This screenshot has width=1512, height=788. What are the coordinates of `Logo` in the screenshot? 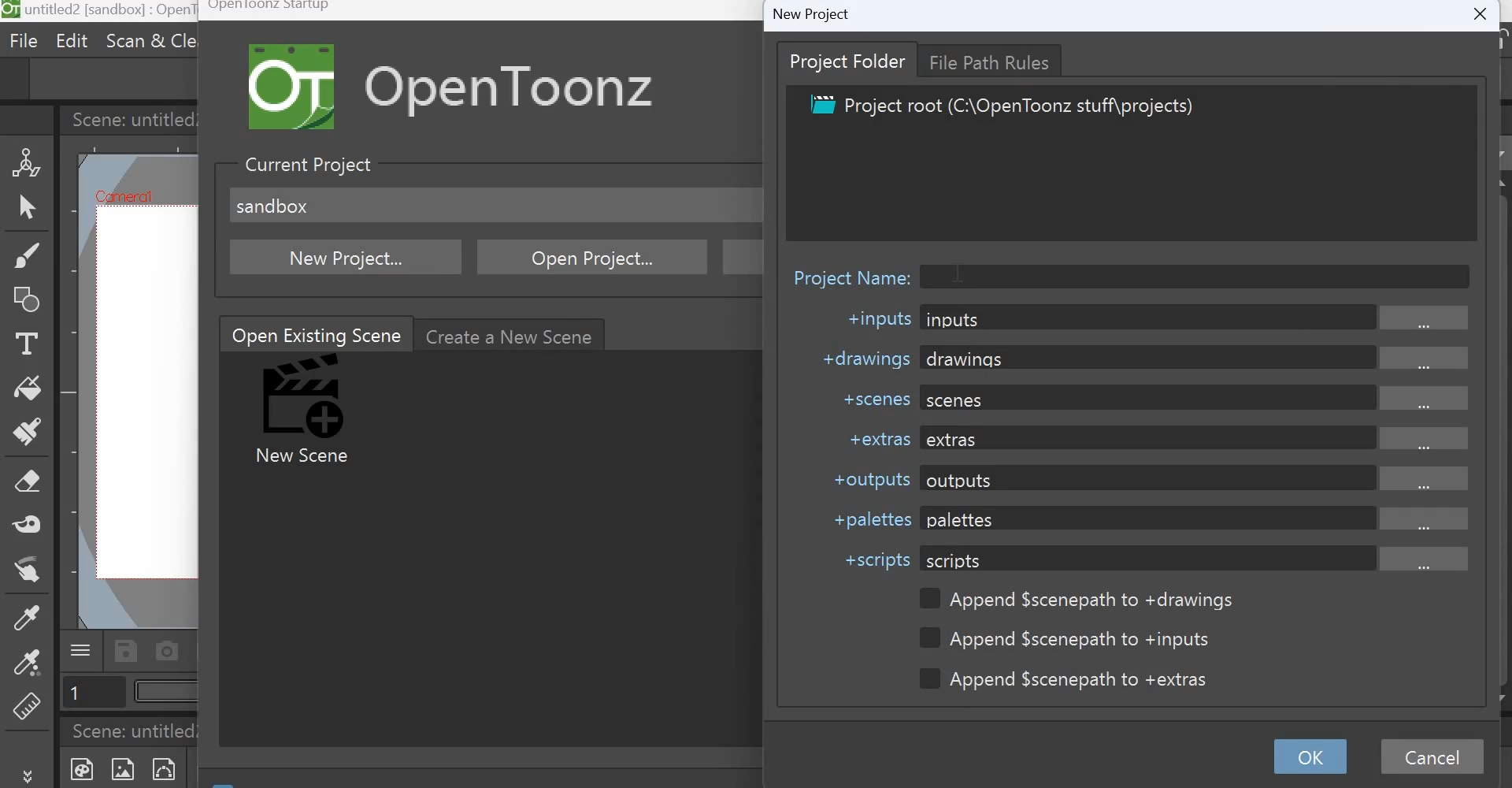 It's located at (296, 87).